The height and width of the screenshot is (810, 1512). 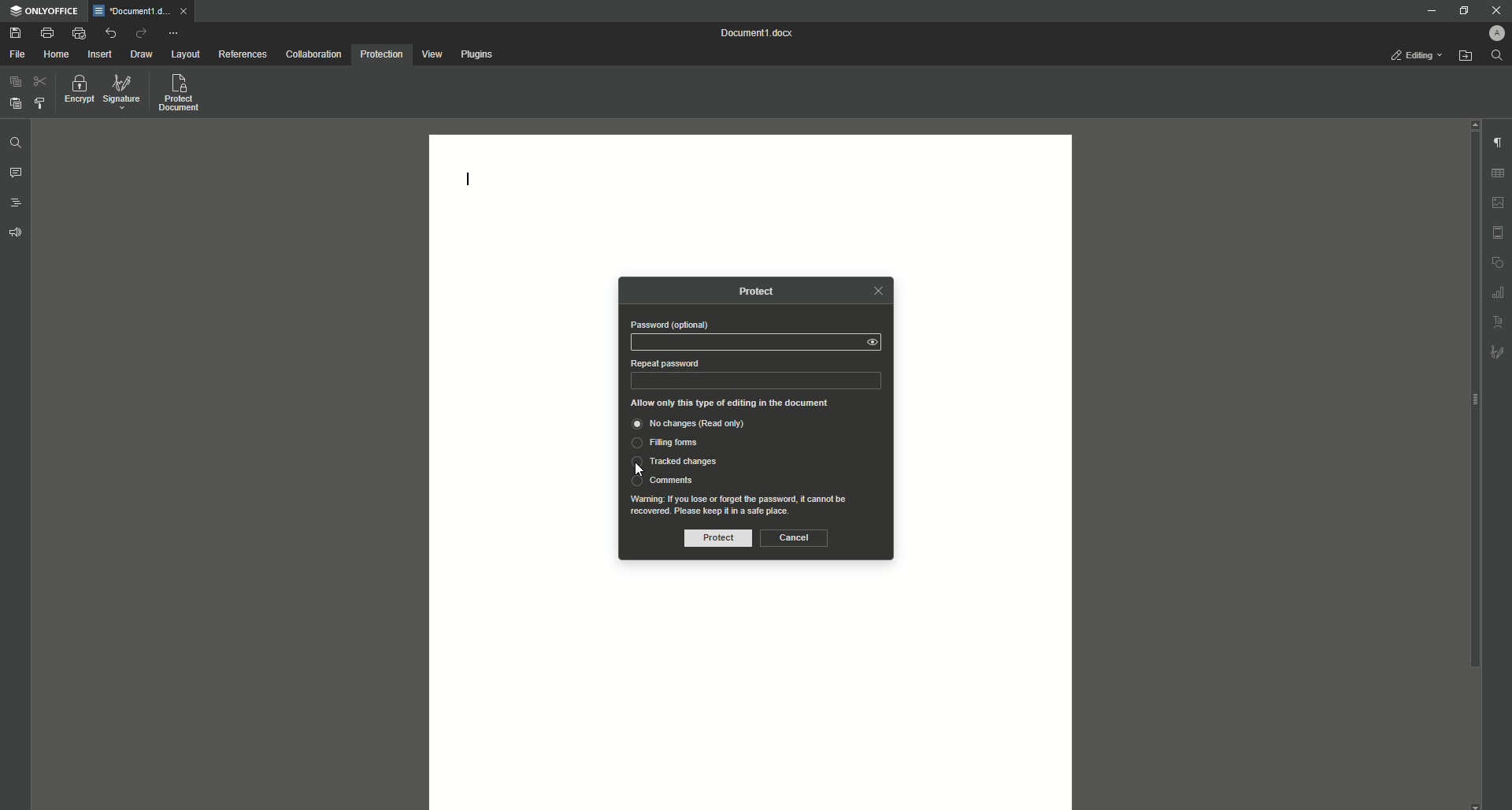 What do you see at coordinates (17, 201) in the screenshot?
I see `Headings` at bounding box center [17, 201].